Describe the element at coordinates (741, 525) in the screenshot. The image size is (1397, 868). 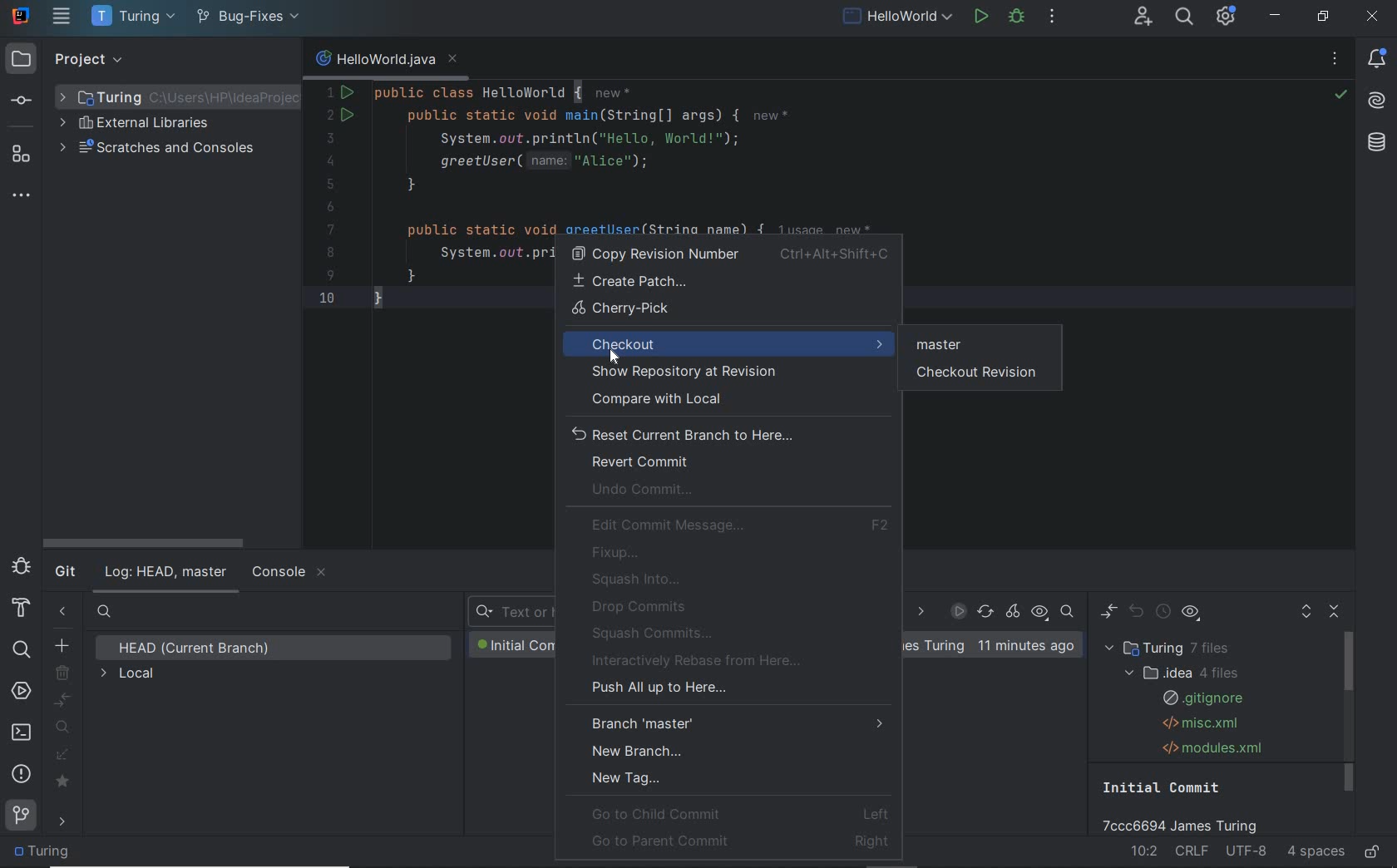
I see `edit commit message` at that location.